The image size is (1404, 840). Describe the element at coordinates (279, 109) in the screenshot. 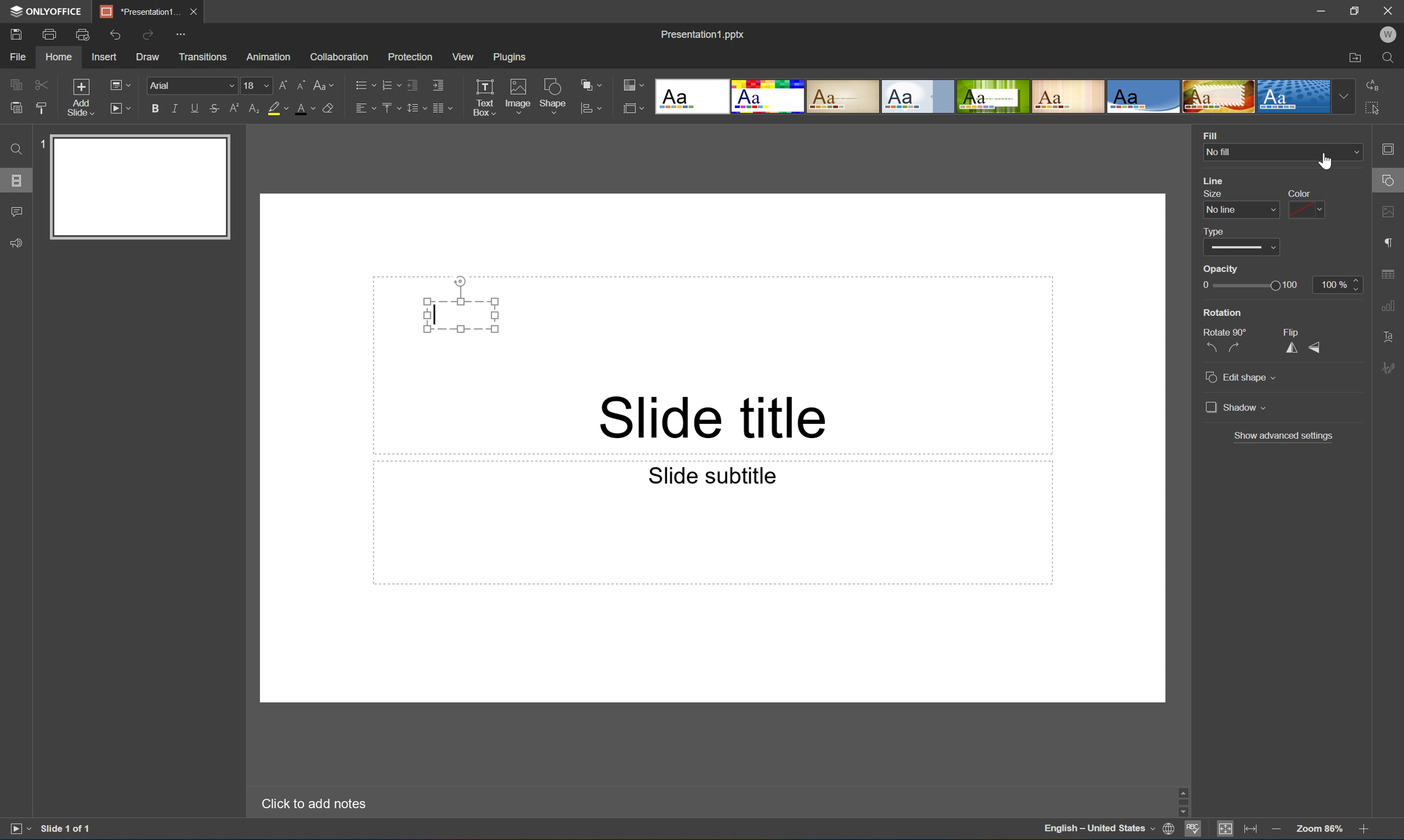

I see `Highlight` at that location.